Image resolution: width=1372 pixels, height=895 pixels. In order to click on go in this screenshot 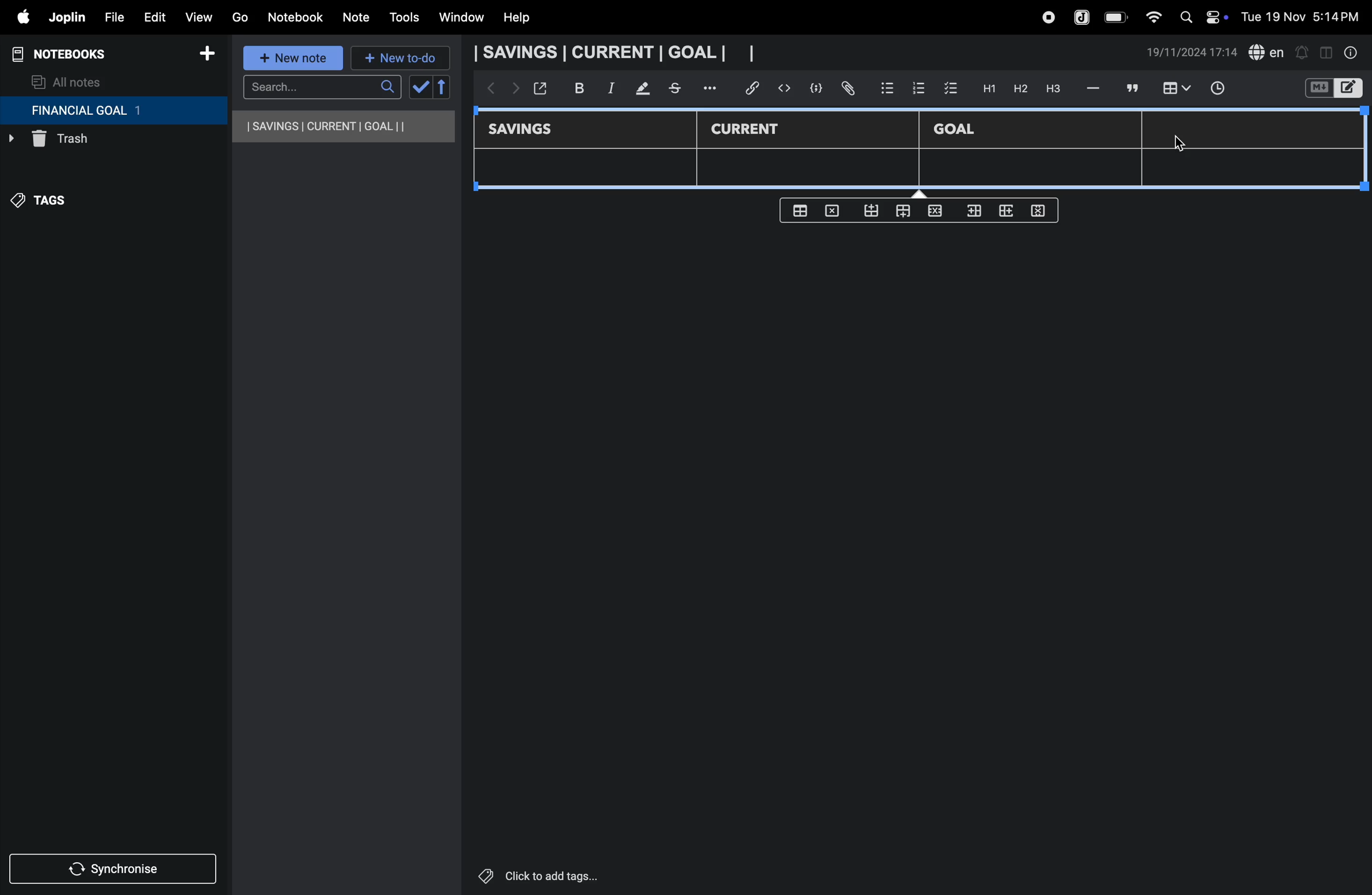, I will do `click(240, 16)`.